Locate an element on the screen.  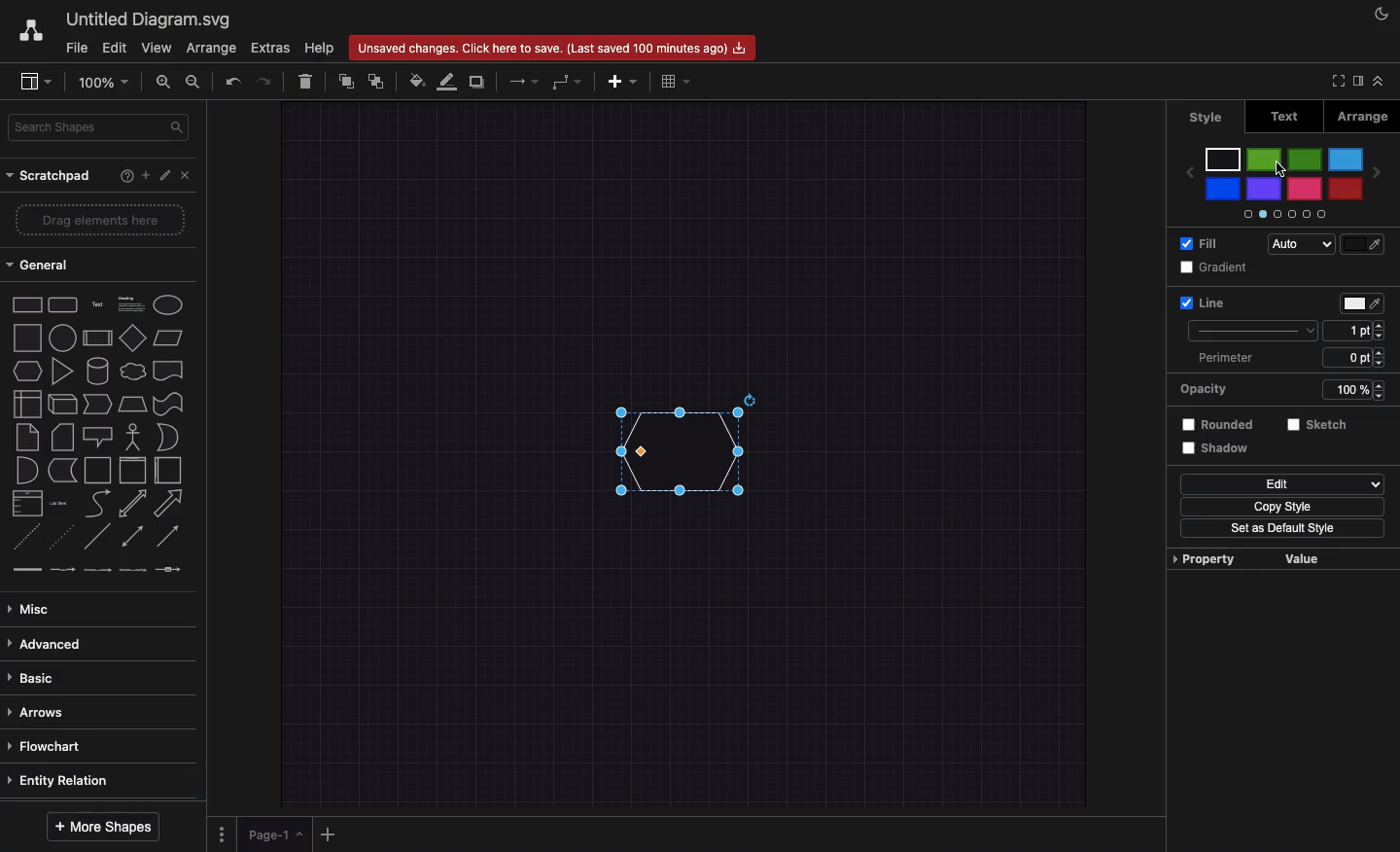
View is located at coordinates (157, 49).